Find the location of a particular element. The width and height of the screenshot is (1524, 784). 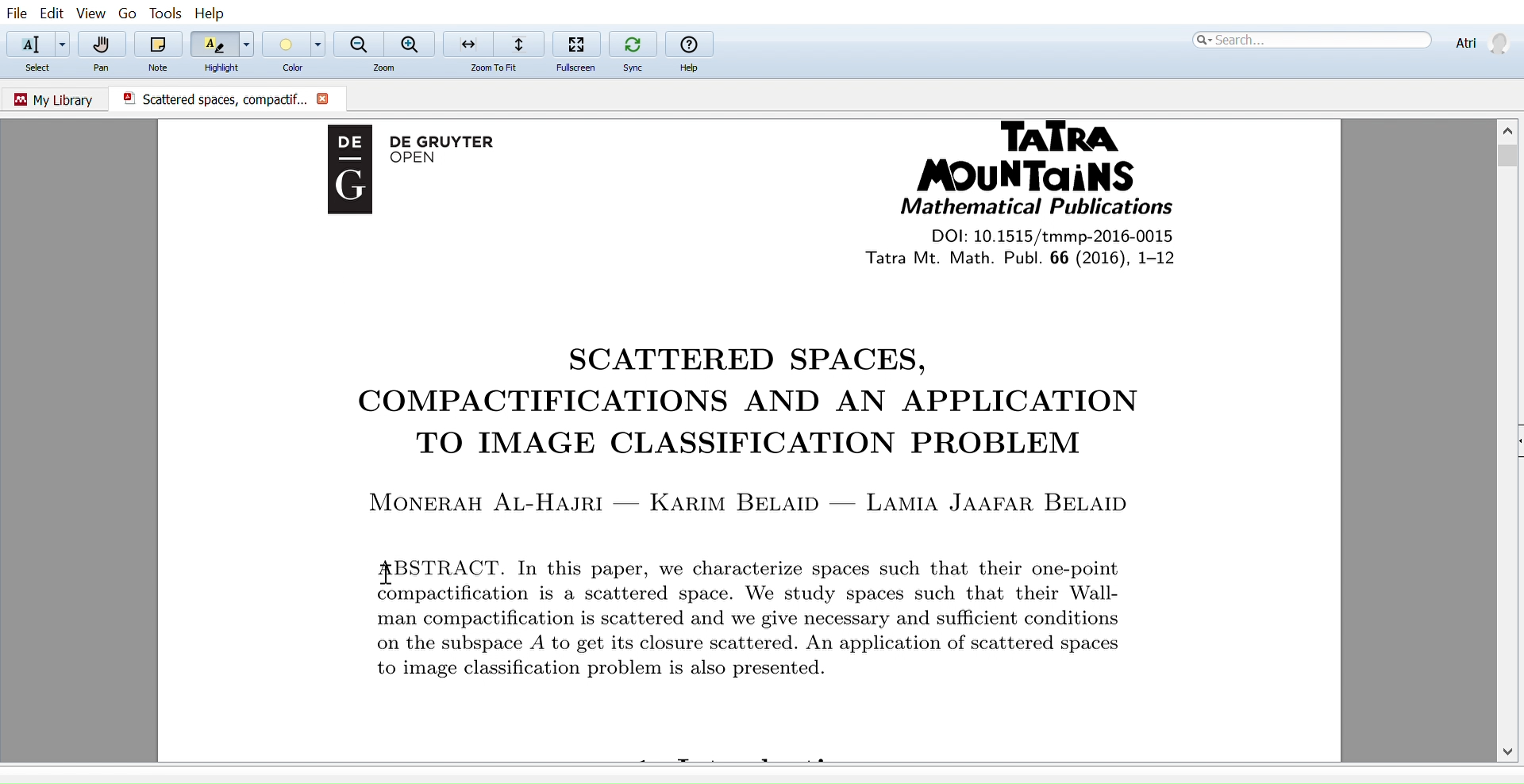

Pan is located at coordinates (103, 69).